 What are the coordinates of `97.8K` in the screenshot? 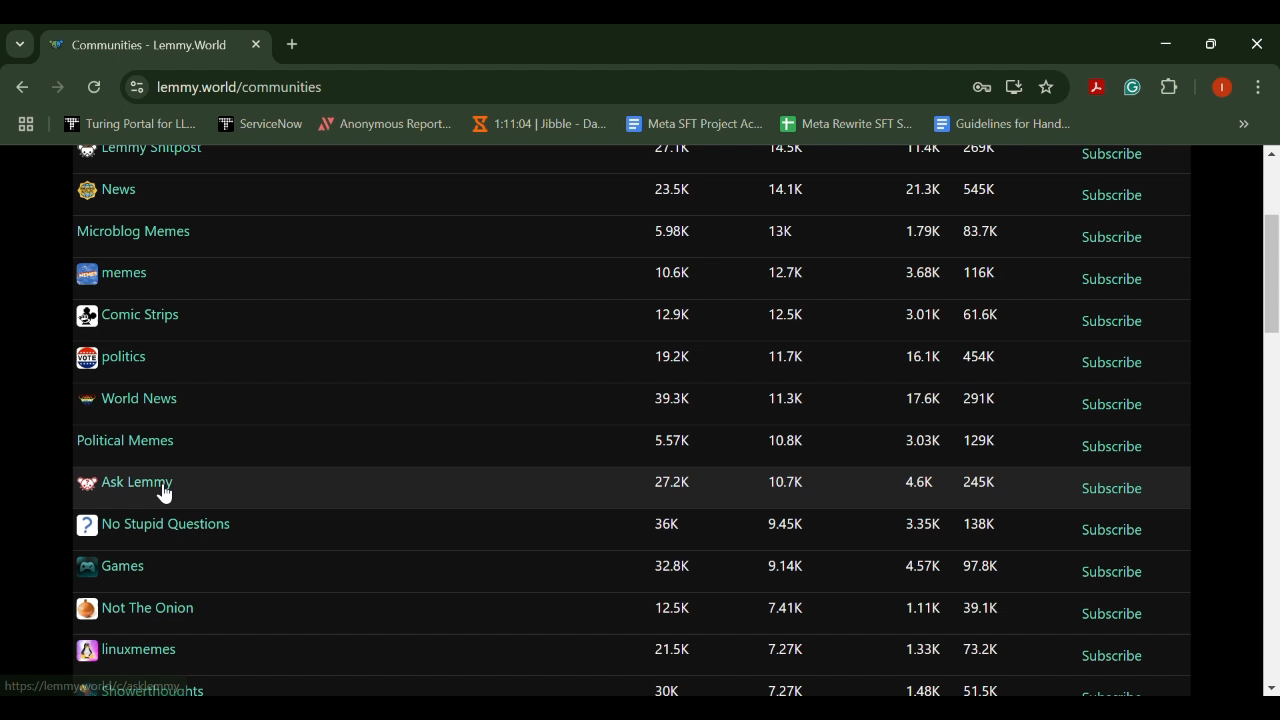 It's located at (982, 566).